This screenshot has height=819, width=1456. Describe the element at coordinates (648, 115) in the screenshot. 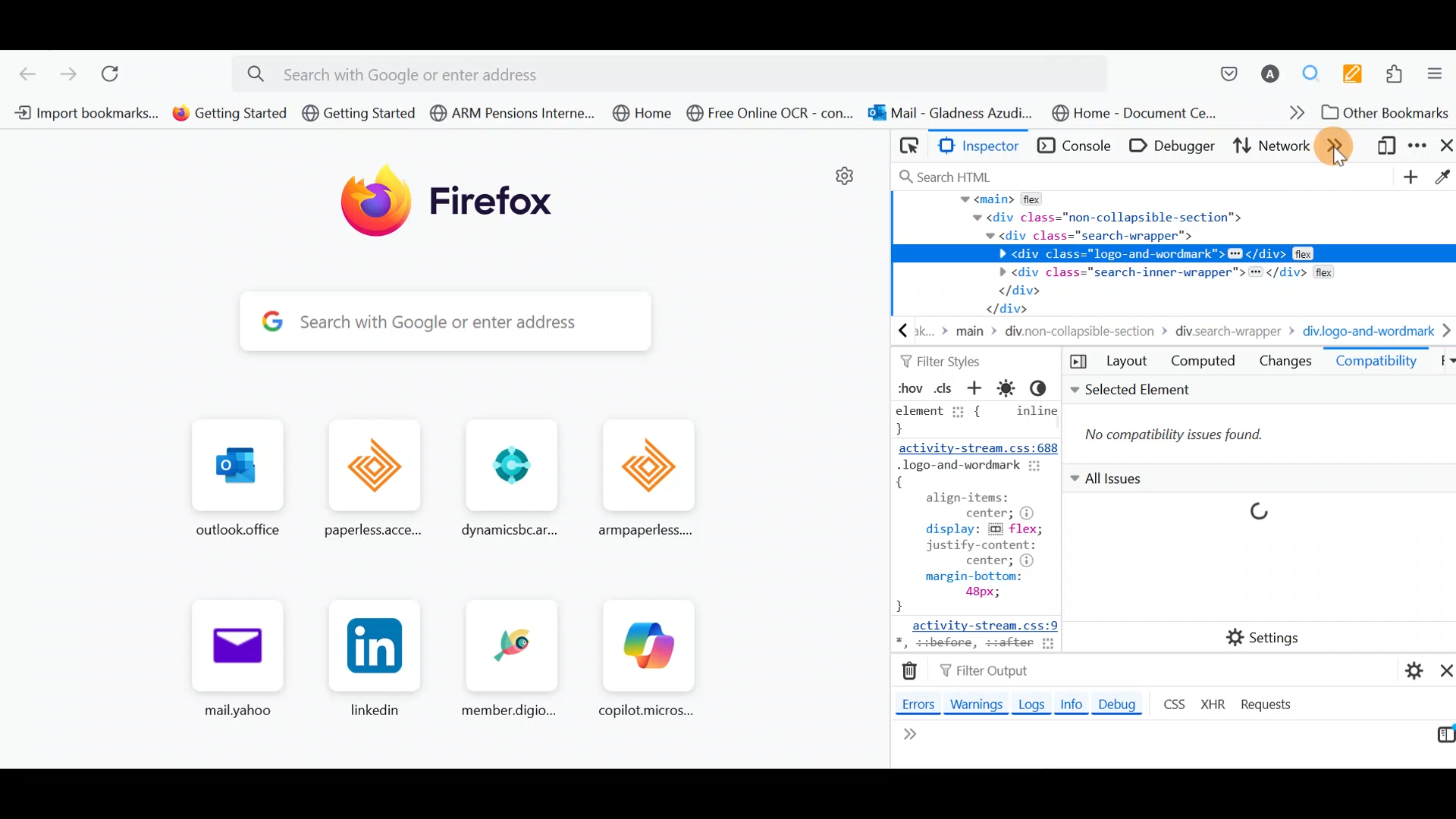

I see `Bookmark 5` at that location.